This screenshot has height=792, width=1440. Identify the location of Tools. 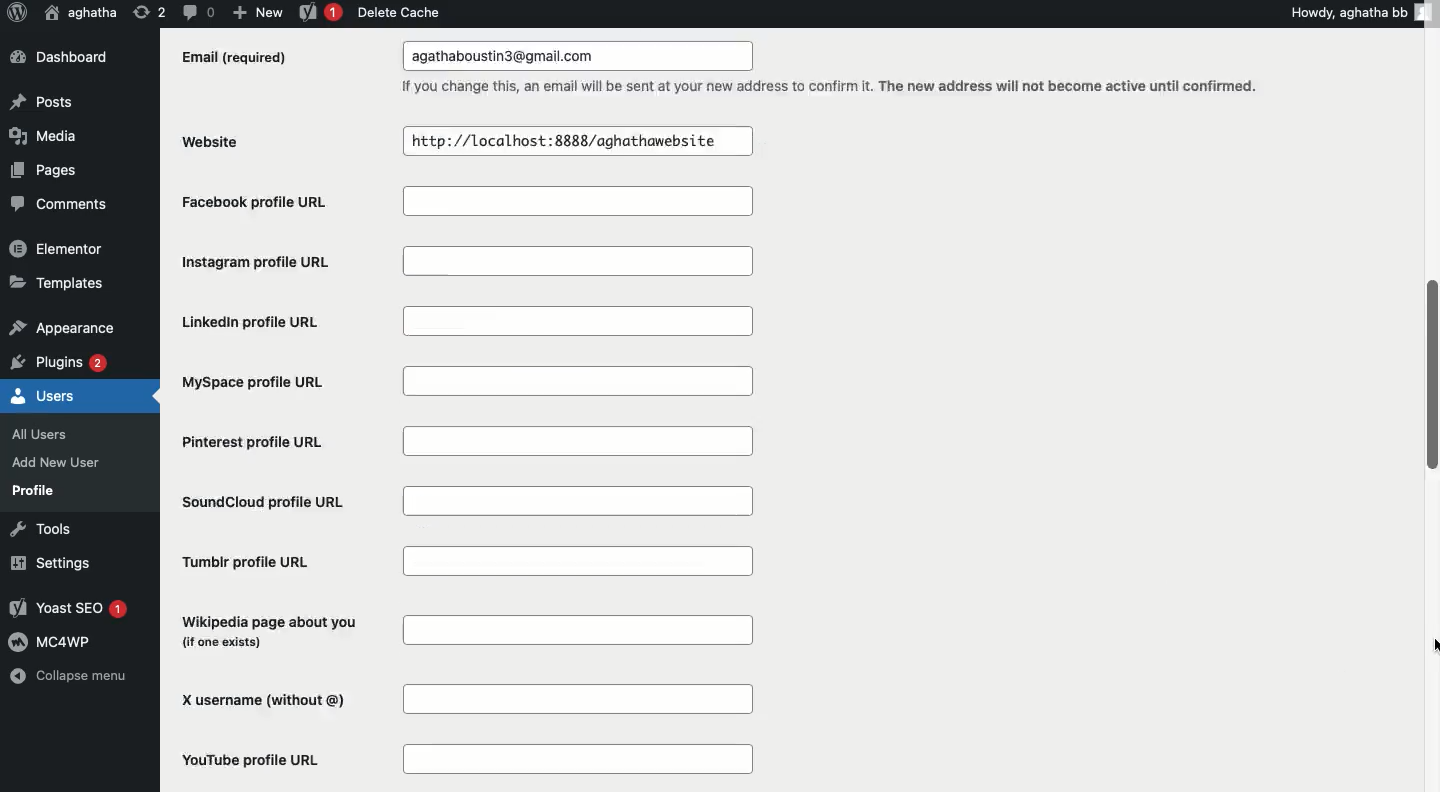
(37, 528).